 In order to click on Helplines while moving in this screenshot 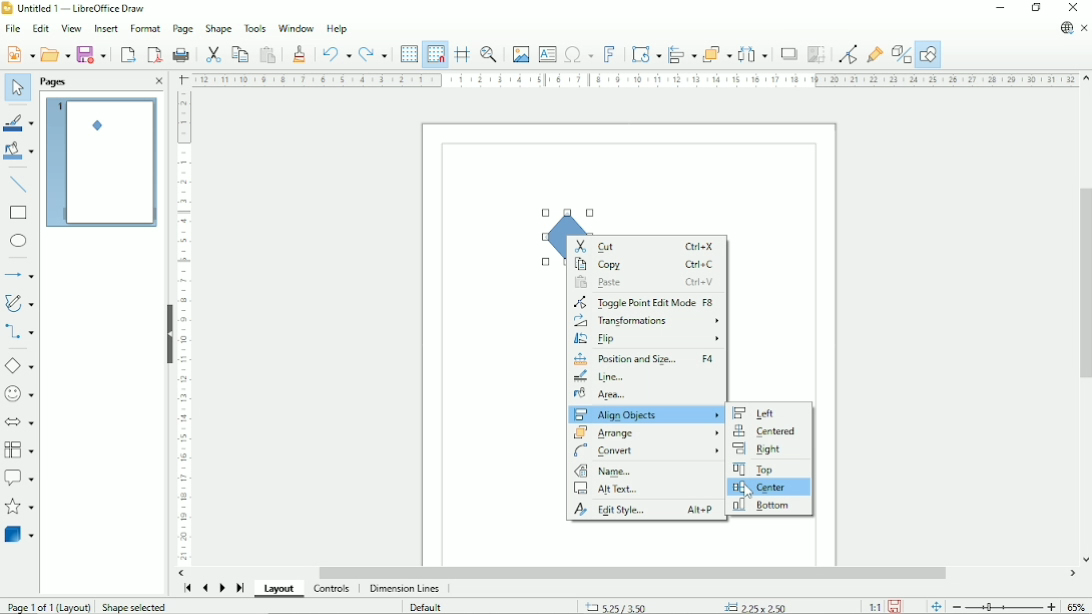, I will do `click(462, 54)`.